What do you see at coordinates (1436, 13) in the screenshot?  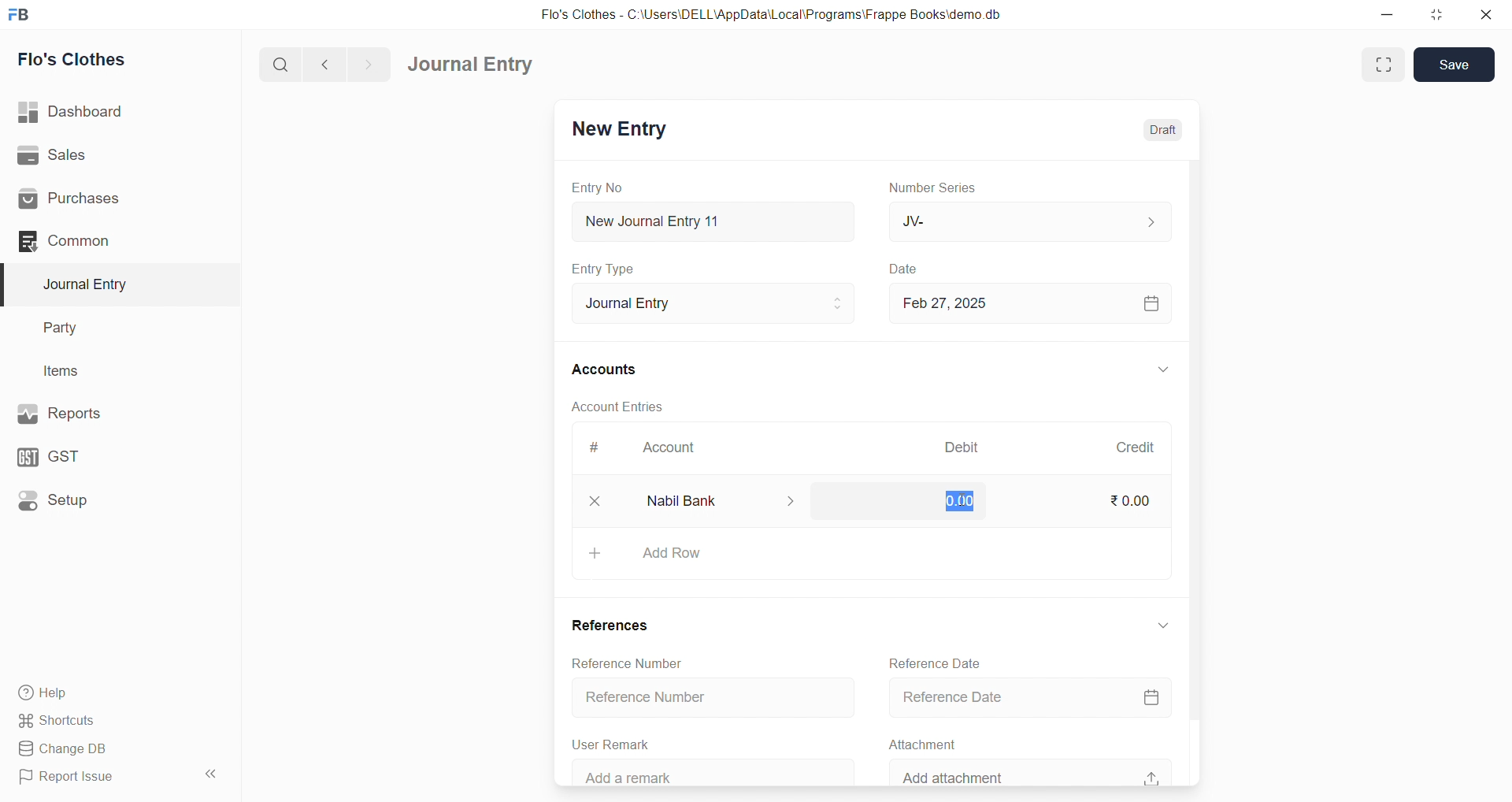 I see `resize` at bounding box center [1436, 13].